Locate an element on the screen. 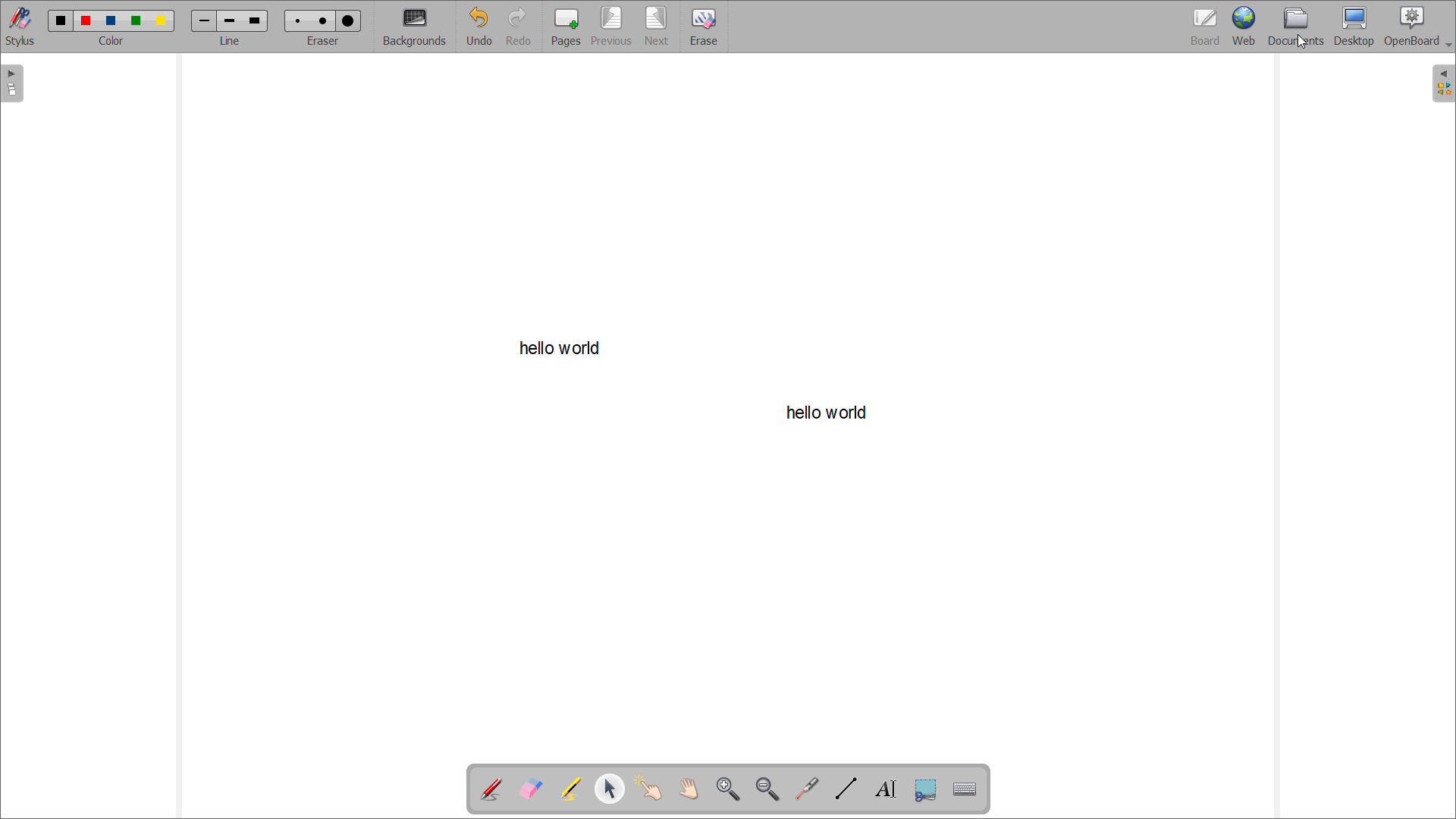  open pages view is located at coordinates (13, 83).